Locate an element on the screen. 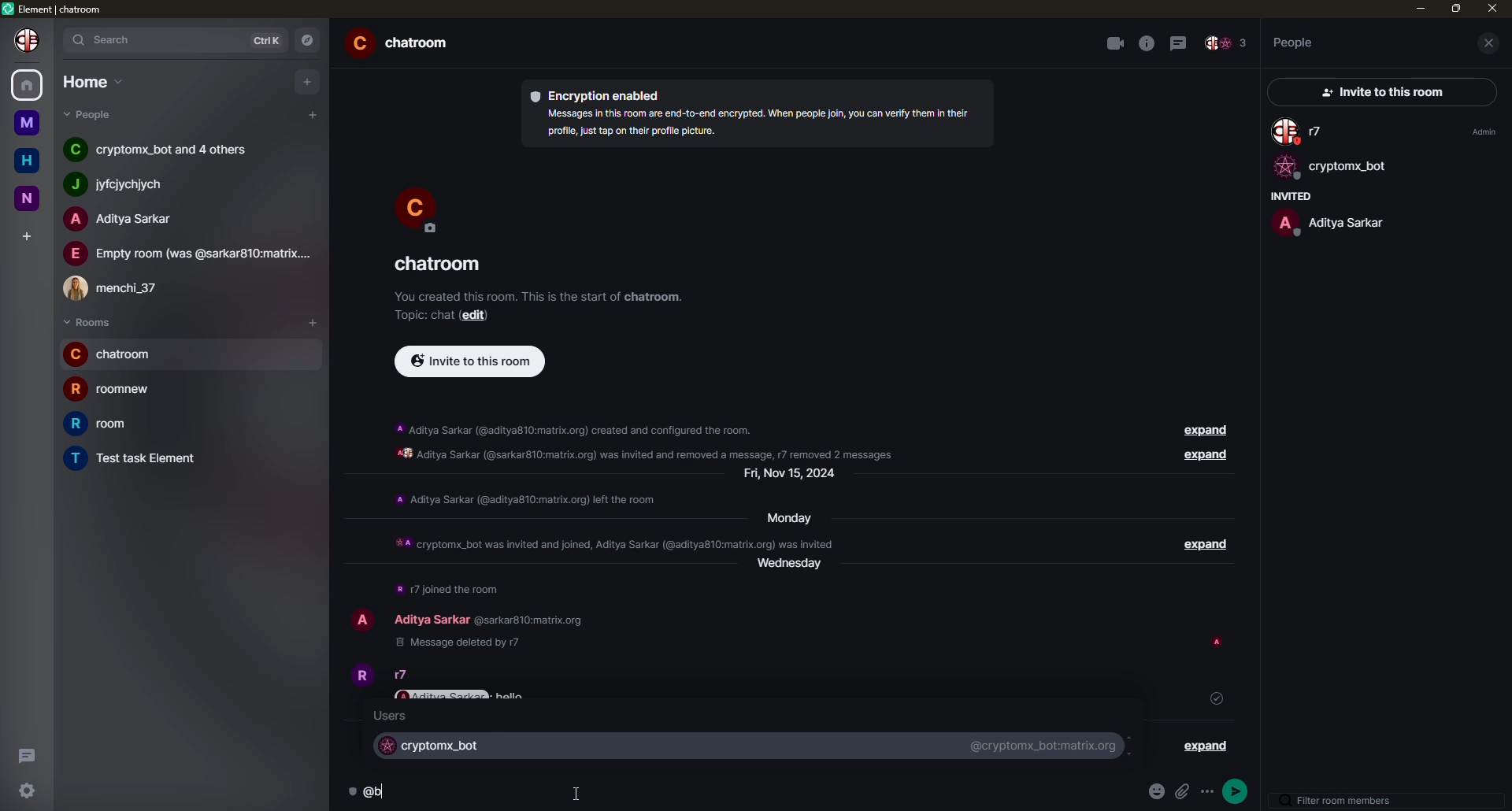 The width and height of the screenshot is (1512, 811). info is located at coordinates (754, 122).